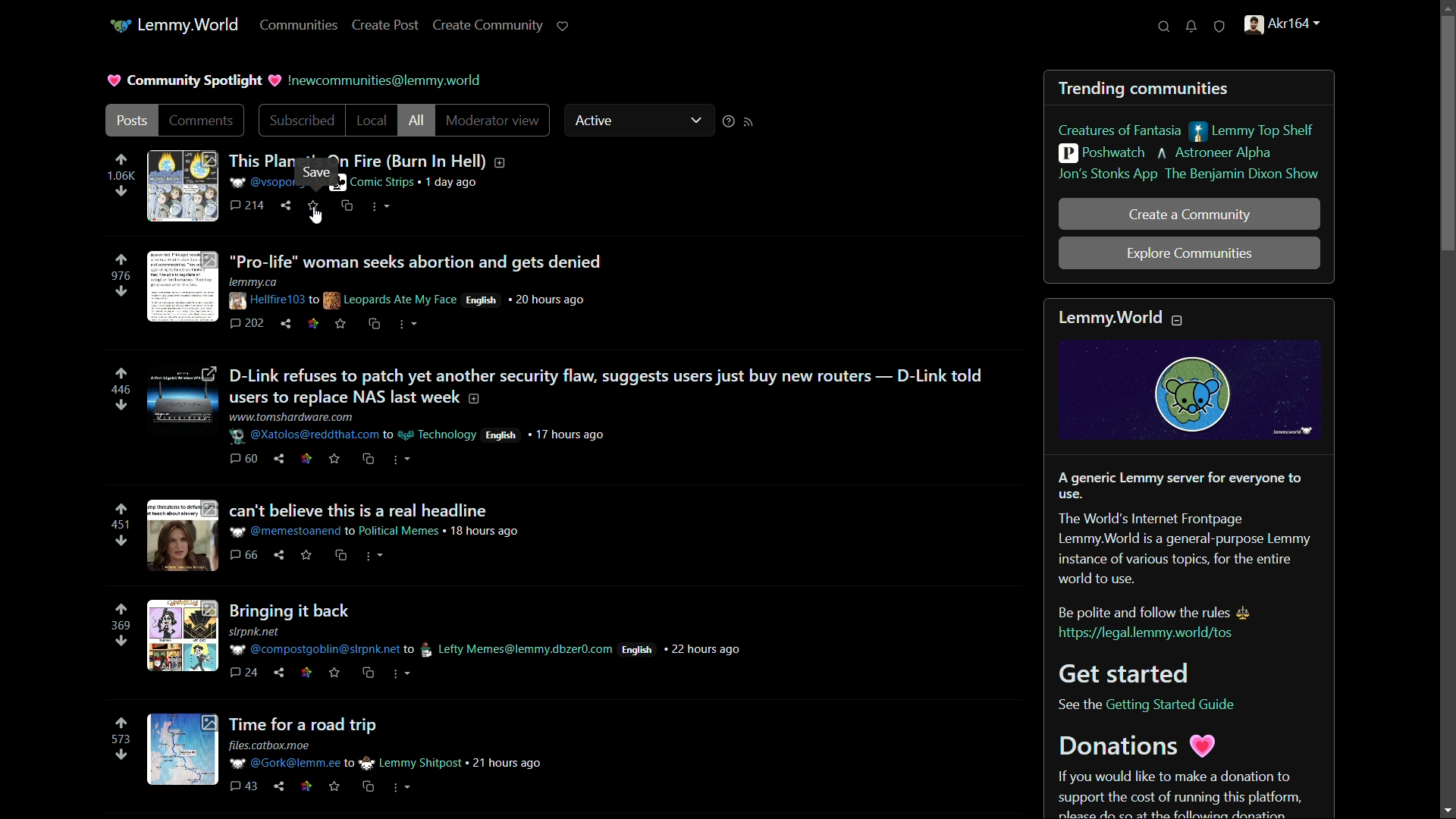 Image resolution: width=1456 pixels, height=819 pixels. Describe the element at coordinates (385, 80) in the screenshot. I see `text` at that location.